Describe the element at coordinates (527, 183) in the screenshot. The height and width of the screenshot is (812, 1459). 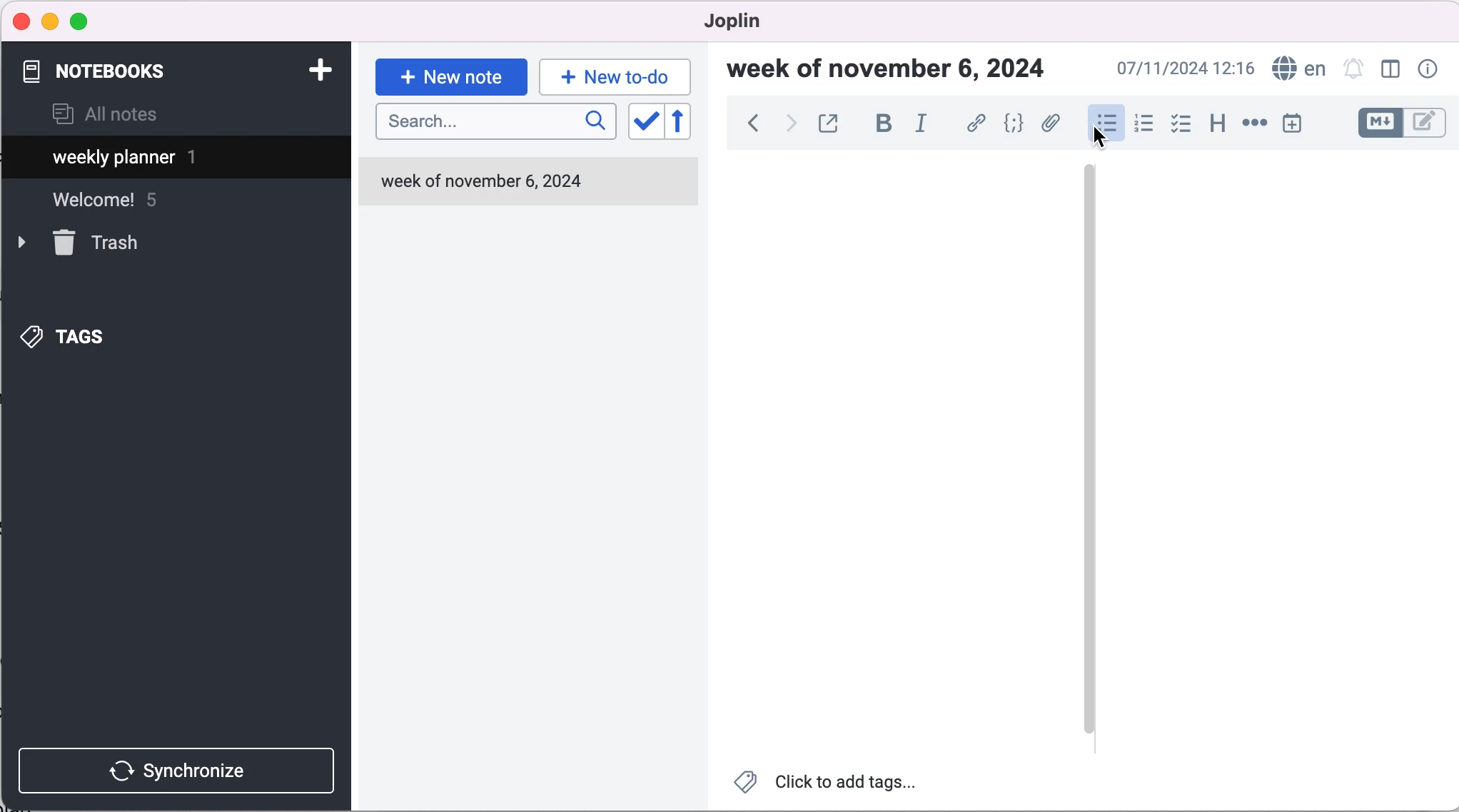
I see `week of november 6, 2024` at that location.